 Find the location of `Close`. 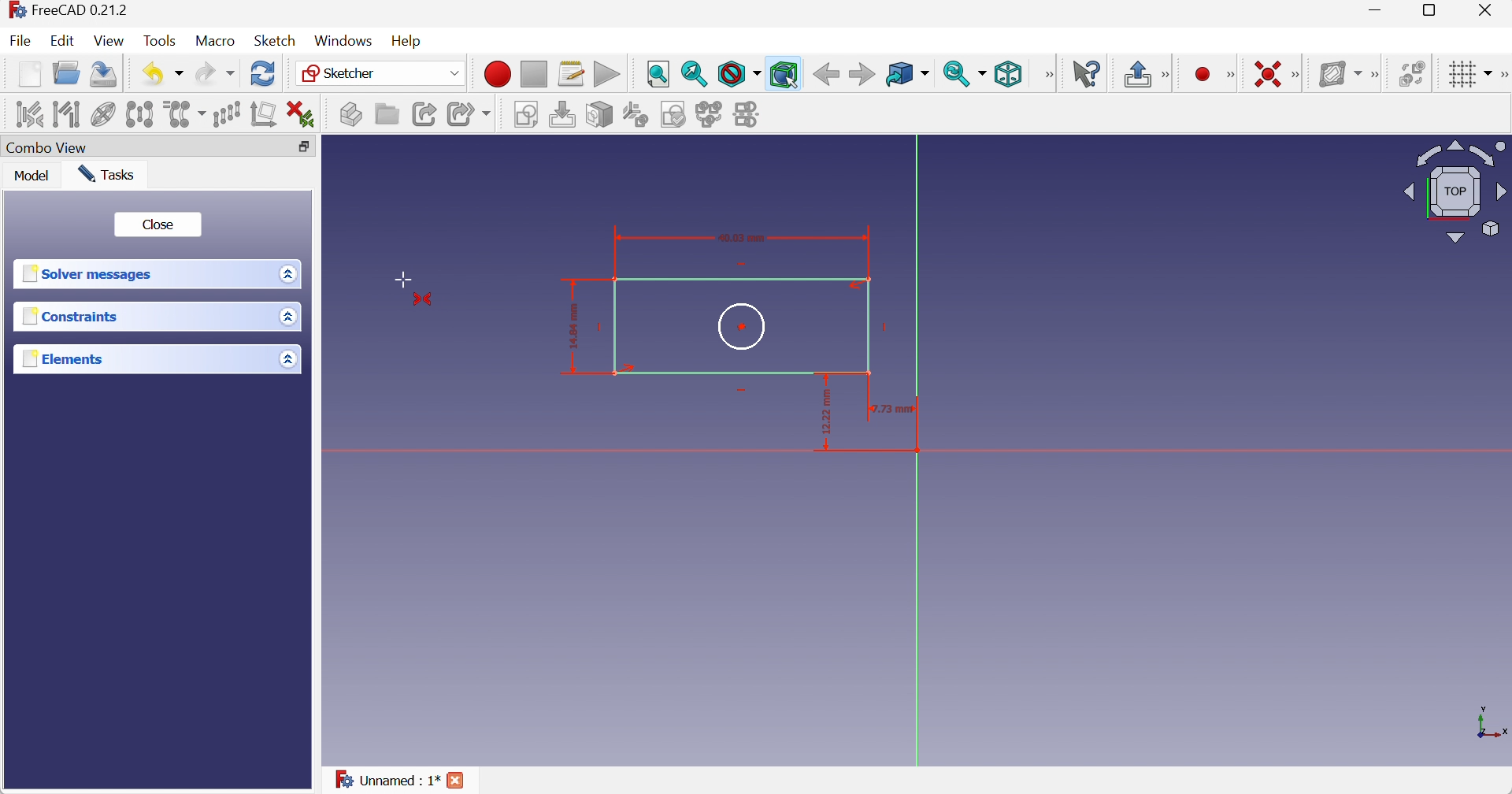

Close is located at coordinates (161, 224).